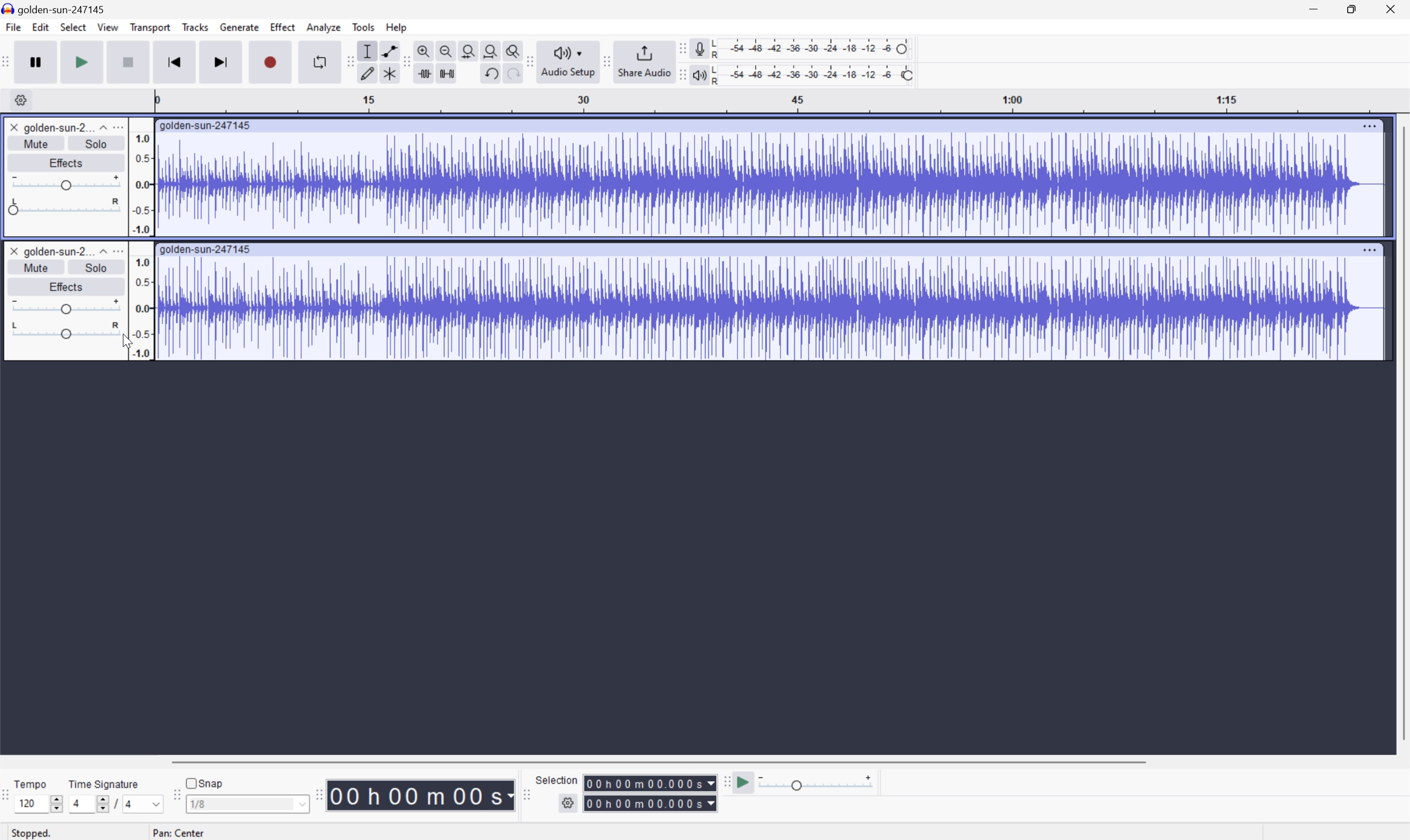 Image resolution: width=1410 pixels, height=840 pixels. I want to click on golden-sun-247145, so click(209, 125).